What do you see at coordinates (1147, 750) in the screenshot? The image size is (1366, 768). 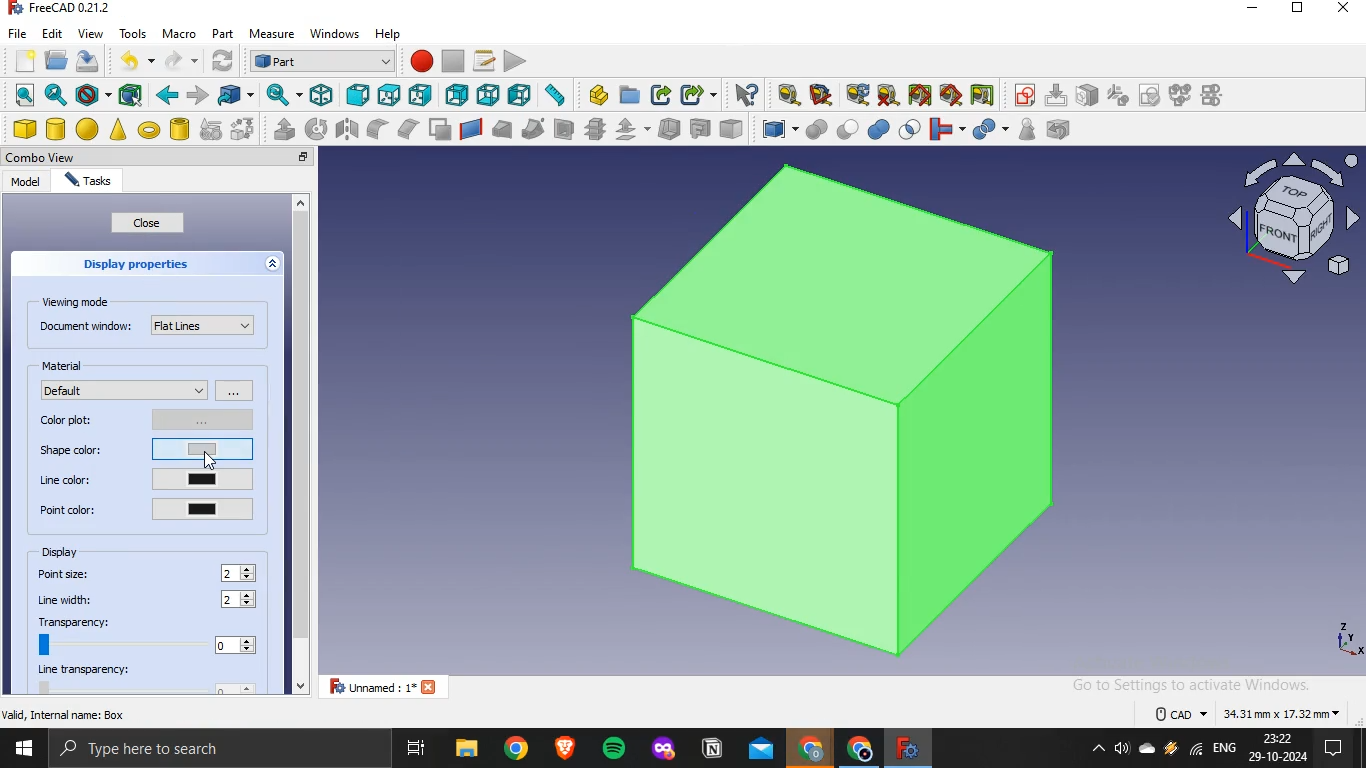 I see `onedrive` at bounding box center [1147, 750].